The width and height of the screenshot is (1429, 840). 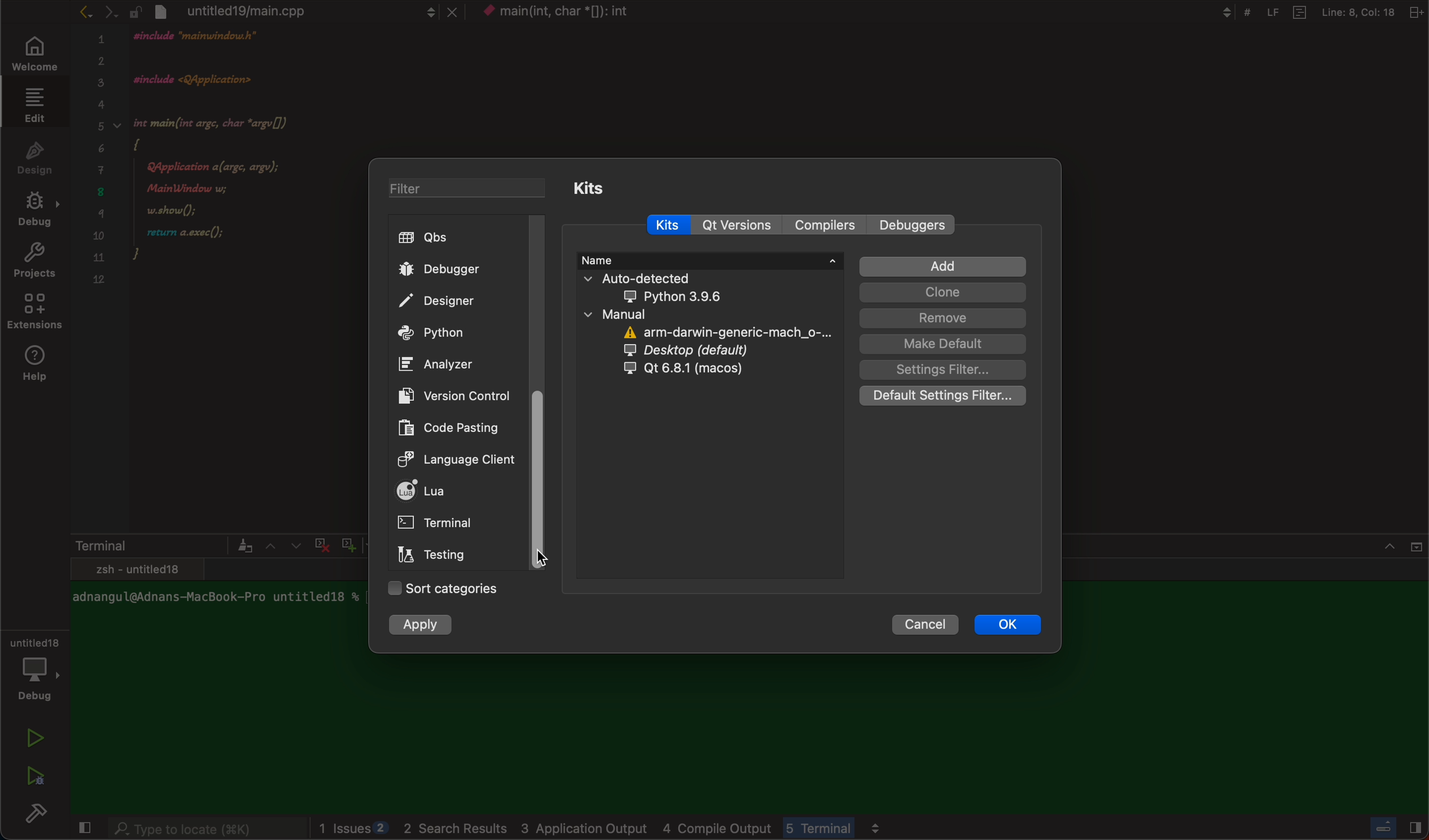 I want to click on debugger, so click(x=459, y=269).